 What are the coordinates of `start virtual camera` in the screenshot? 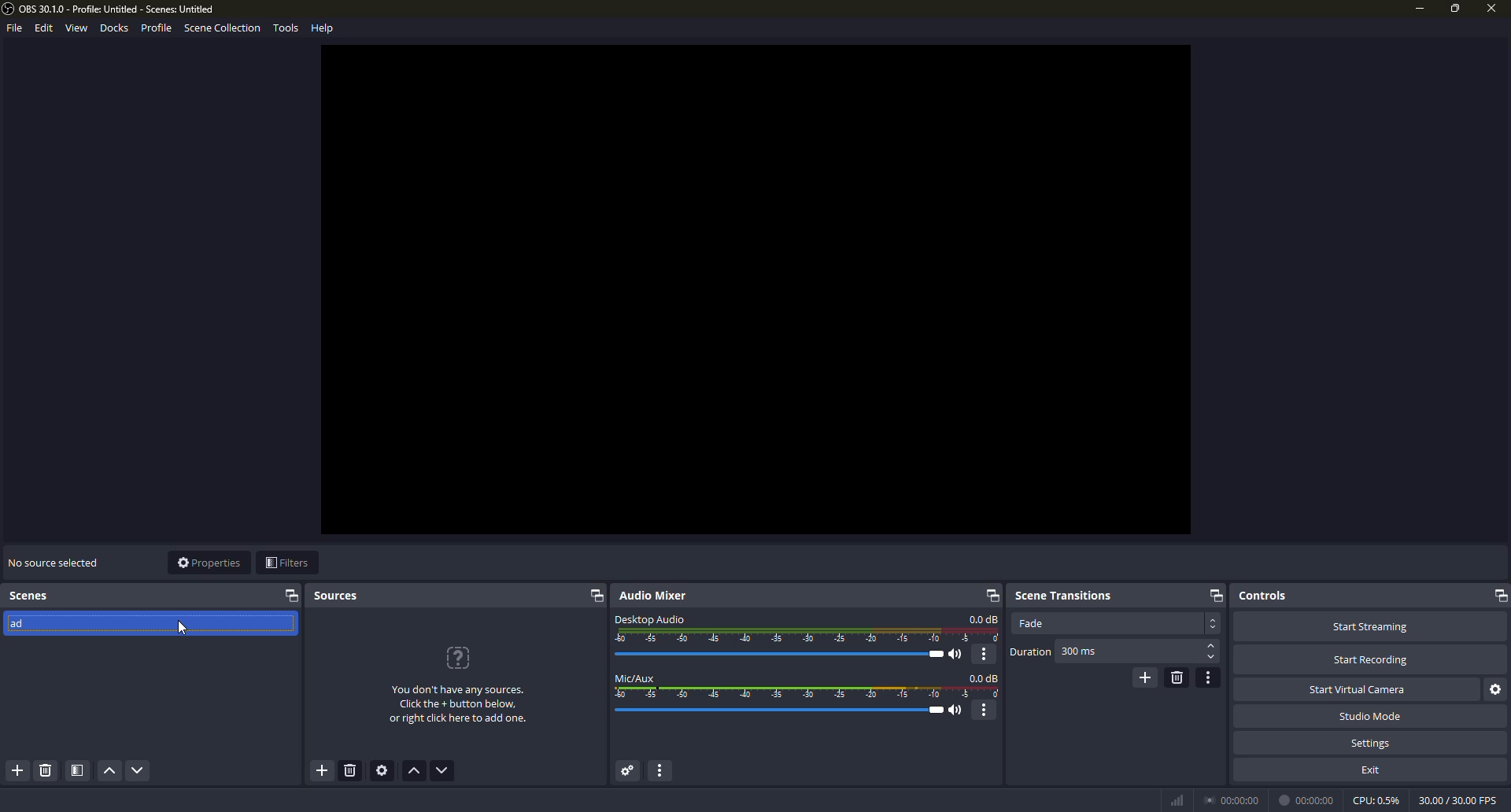 It's located at (1361, 688).